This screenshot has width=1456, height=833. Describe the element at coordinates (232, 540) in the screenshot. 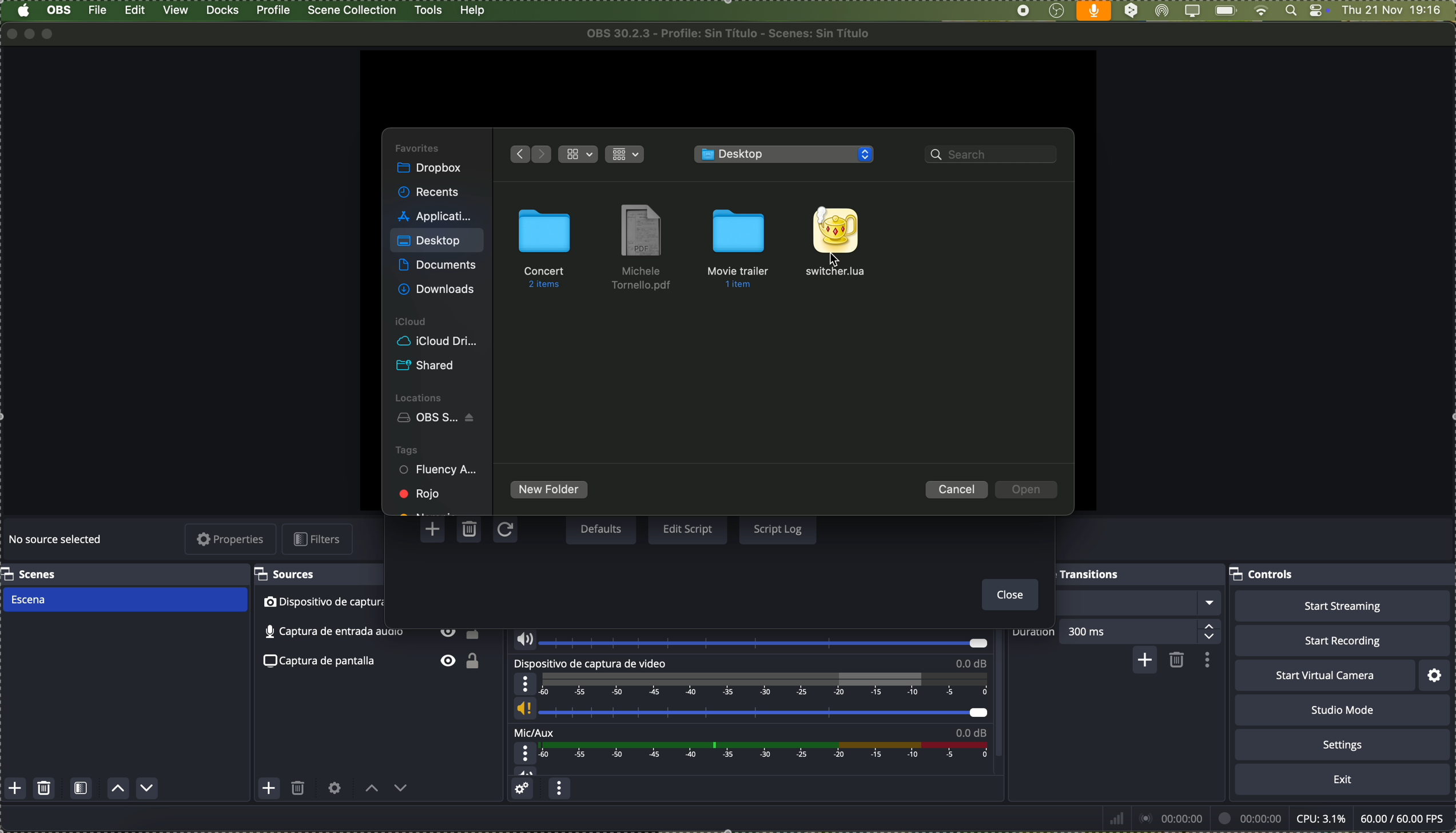

I see `properties` at that location.